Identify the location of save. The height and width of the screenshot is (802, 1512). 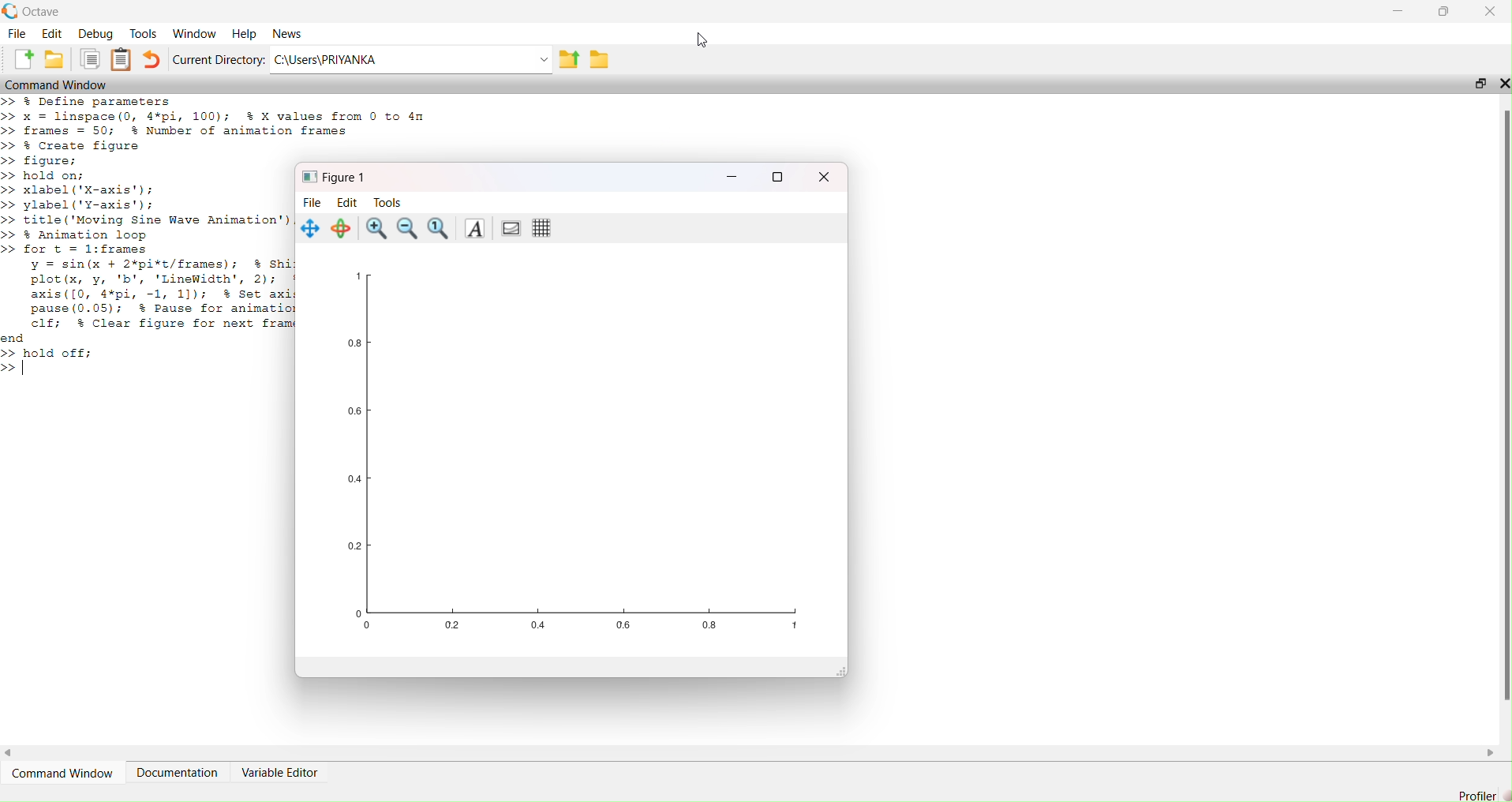
(54, 60).